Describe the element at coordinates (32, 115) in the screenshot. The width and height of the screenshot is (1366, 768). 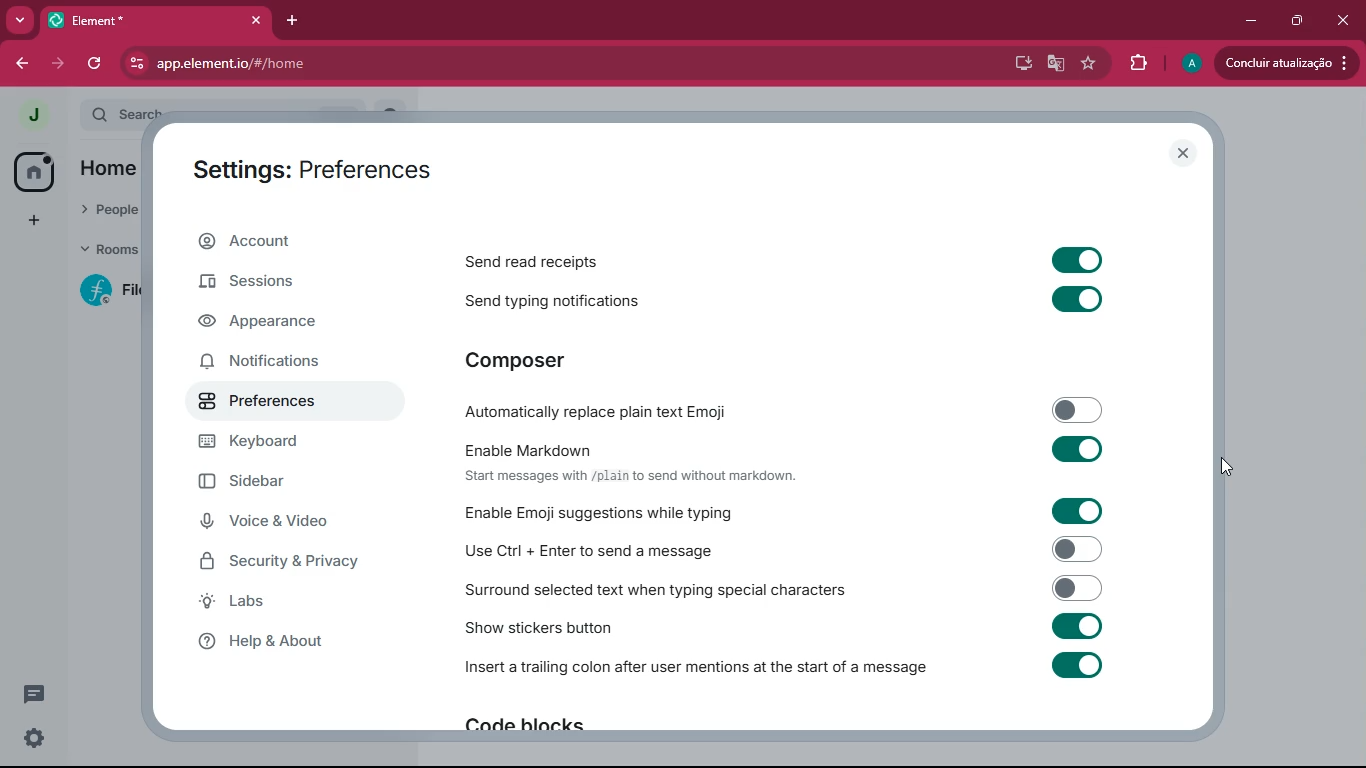
I see `profile picture` at that location.